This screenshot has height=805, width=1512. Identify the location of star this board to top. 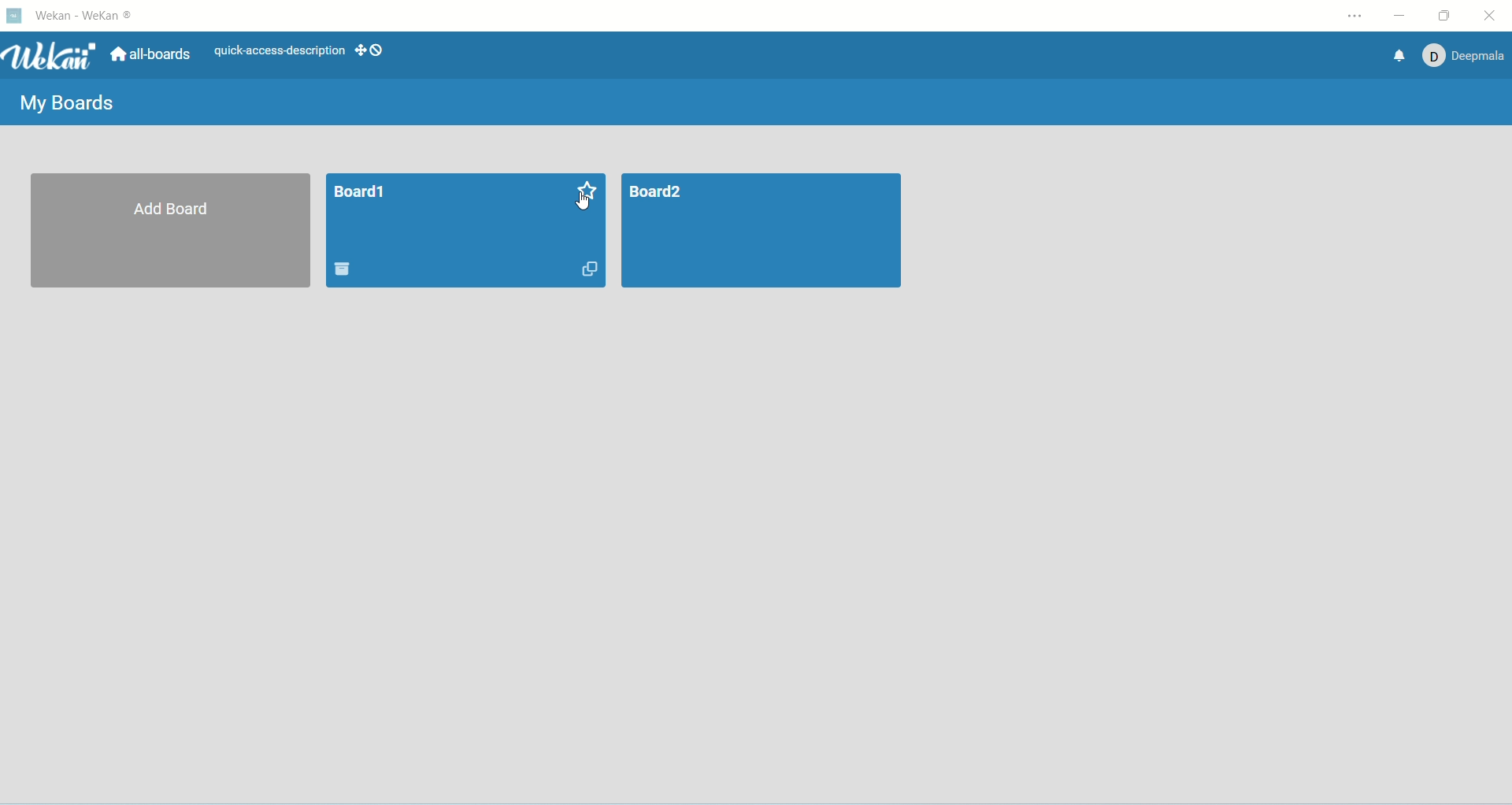
(587, 190).